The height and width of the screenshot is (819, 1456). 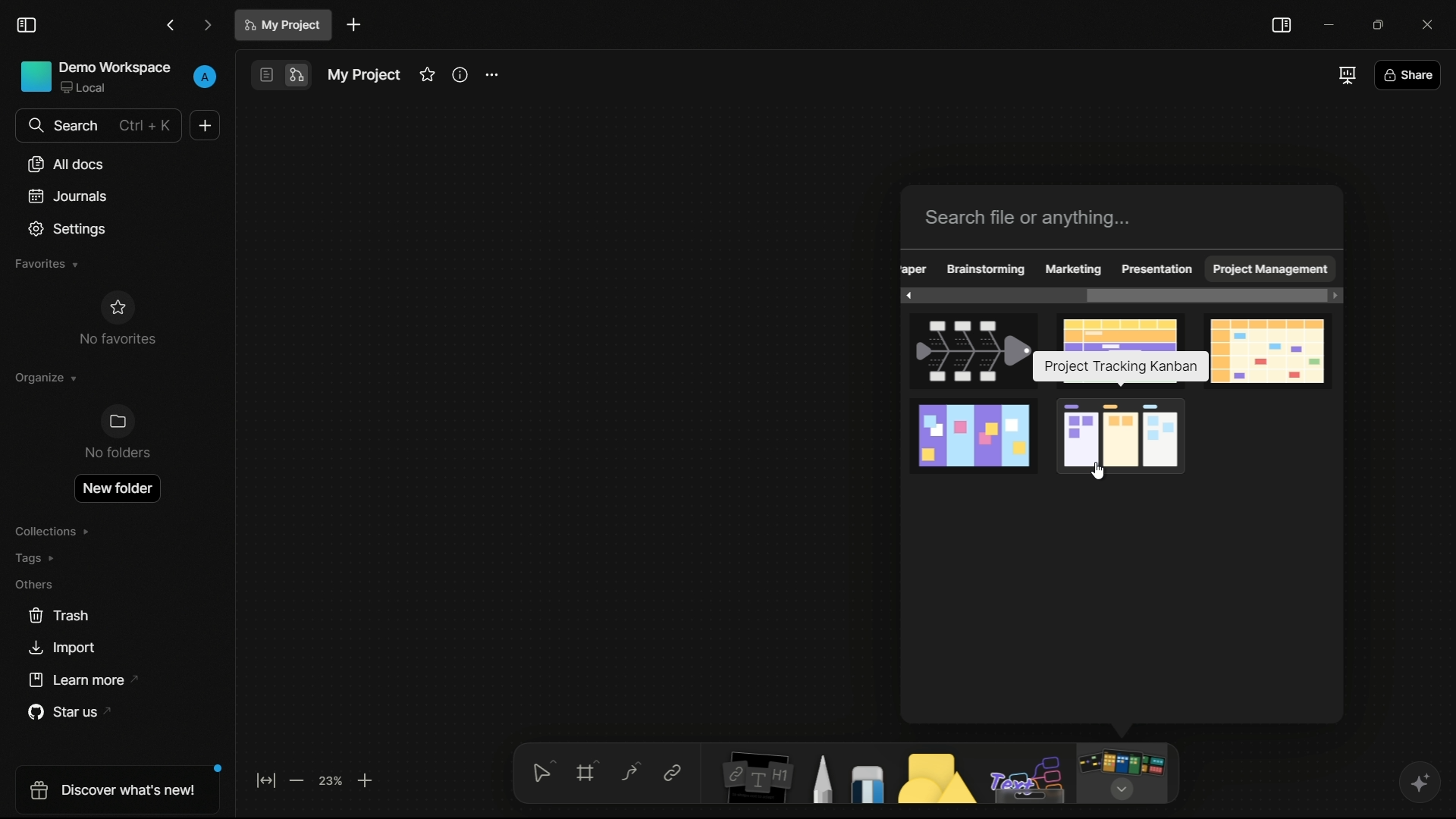 What do you see at coordinates (1122, 437) in the screenshot?
I see `project tracking kanban template` at bounding box center [1122, 437].